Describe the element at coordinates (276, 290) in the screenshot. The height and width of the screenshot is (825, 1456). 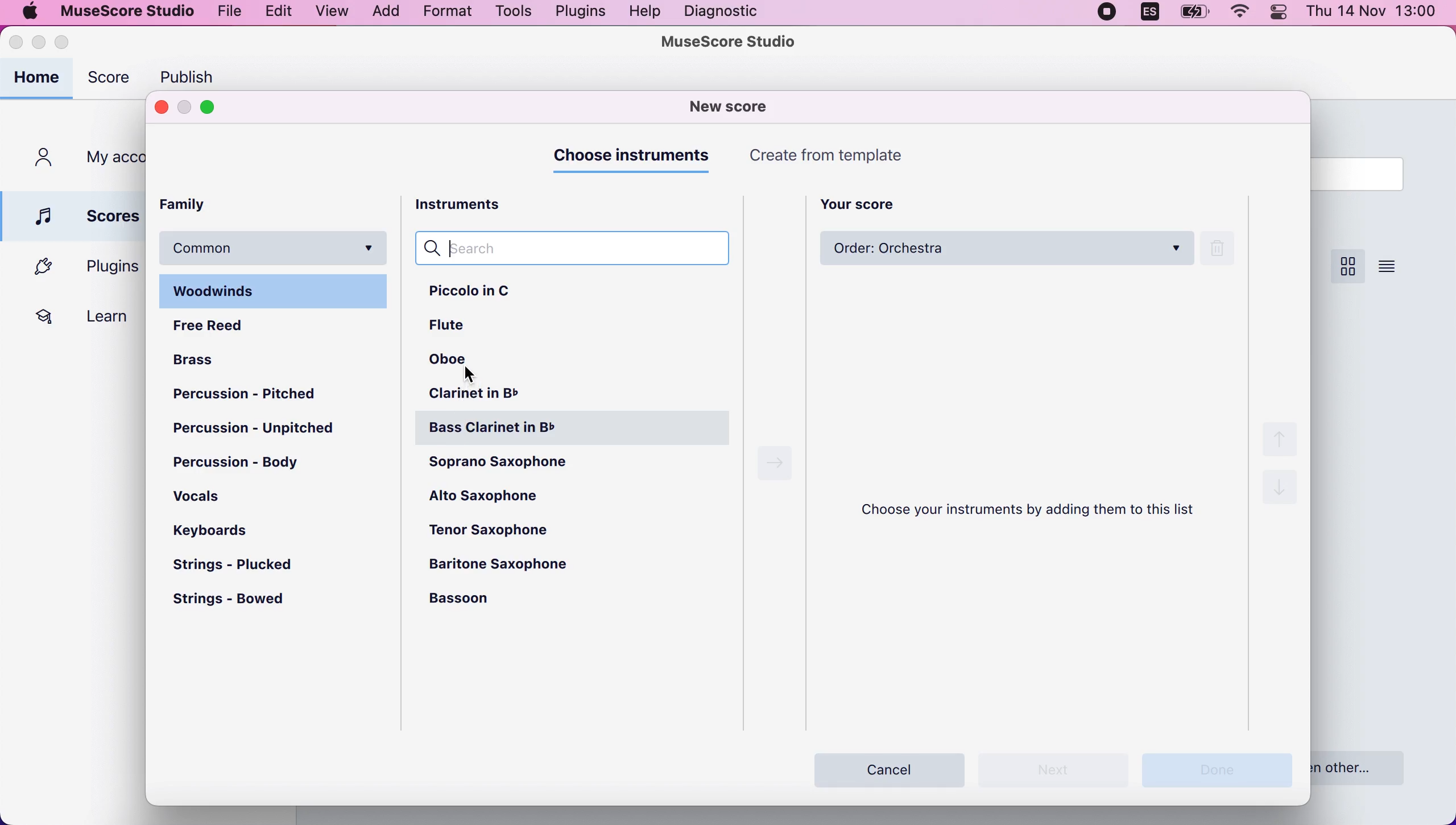
I see `woodwinds` at that location.